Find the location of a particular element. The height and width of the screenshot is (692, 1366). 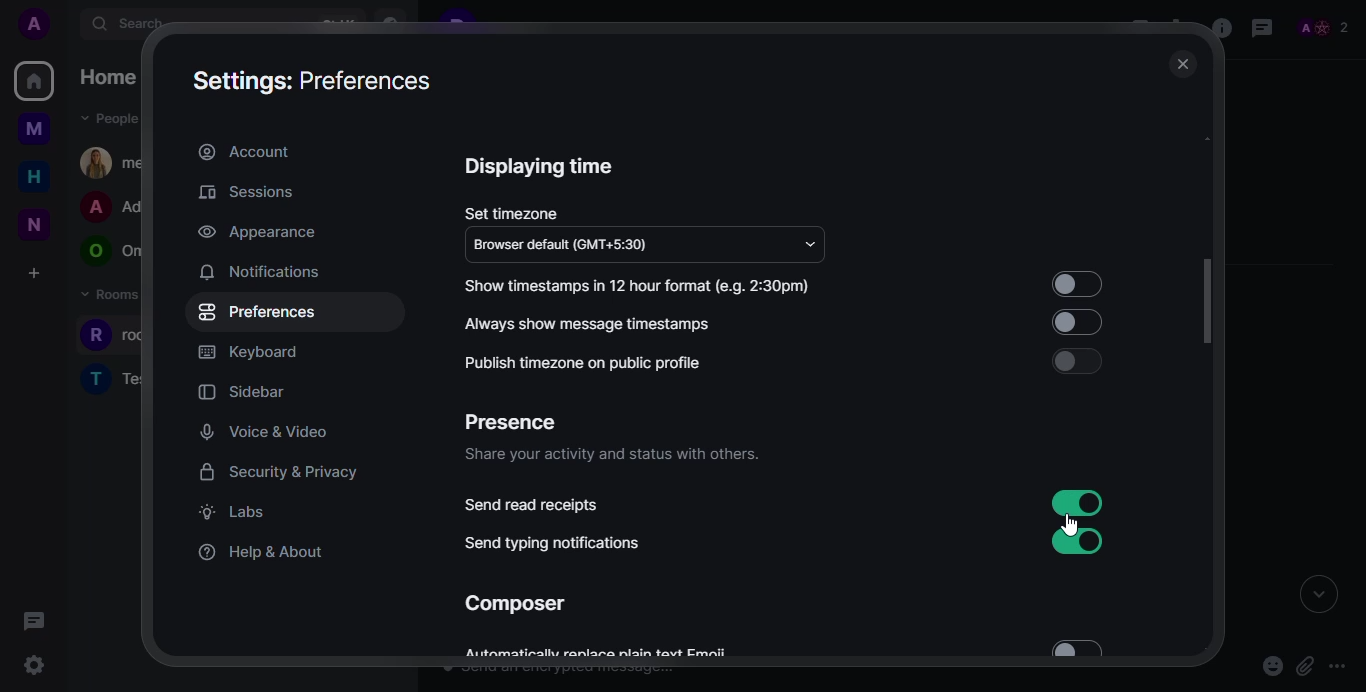

select is located at coordinates (1077, 285).